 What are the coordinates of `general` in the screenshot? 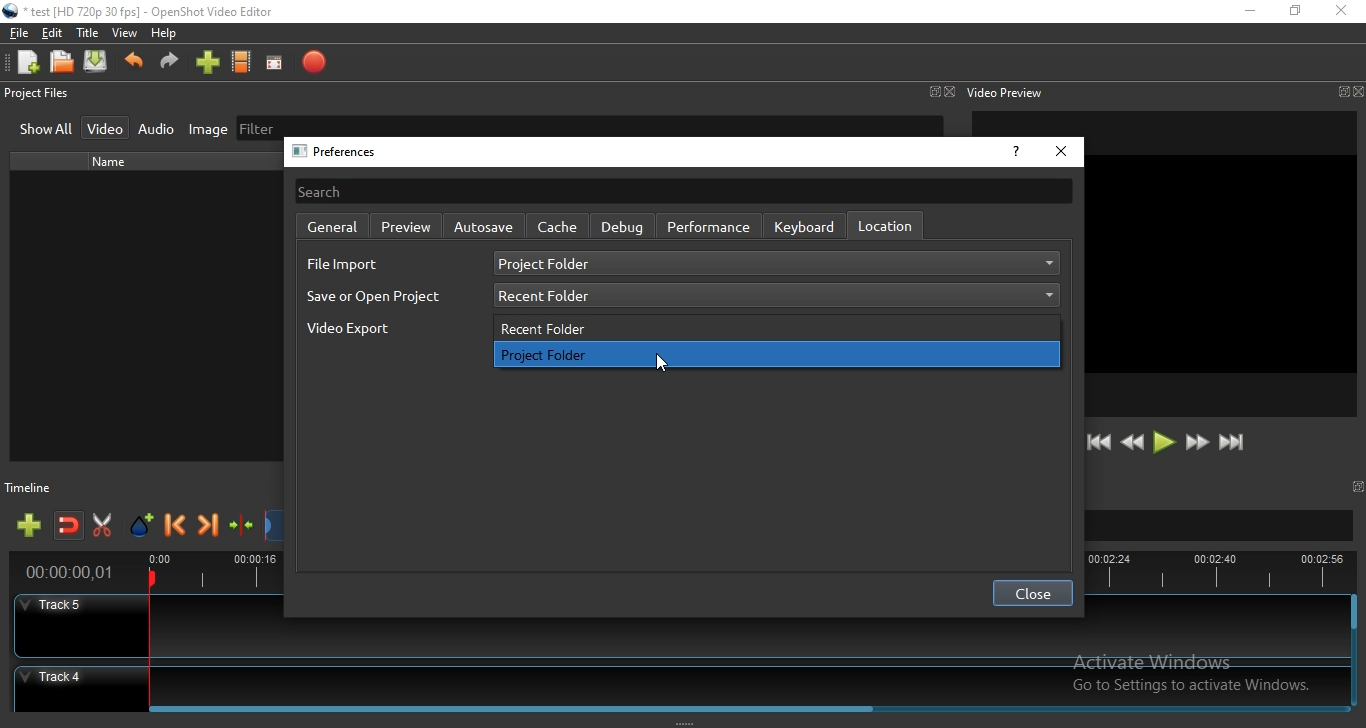 It's located at (329, 227).